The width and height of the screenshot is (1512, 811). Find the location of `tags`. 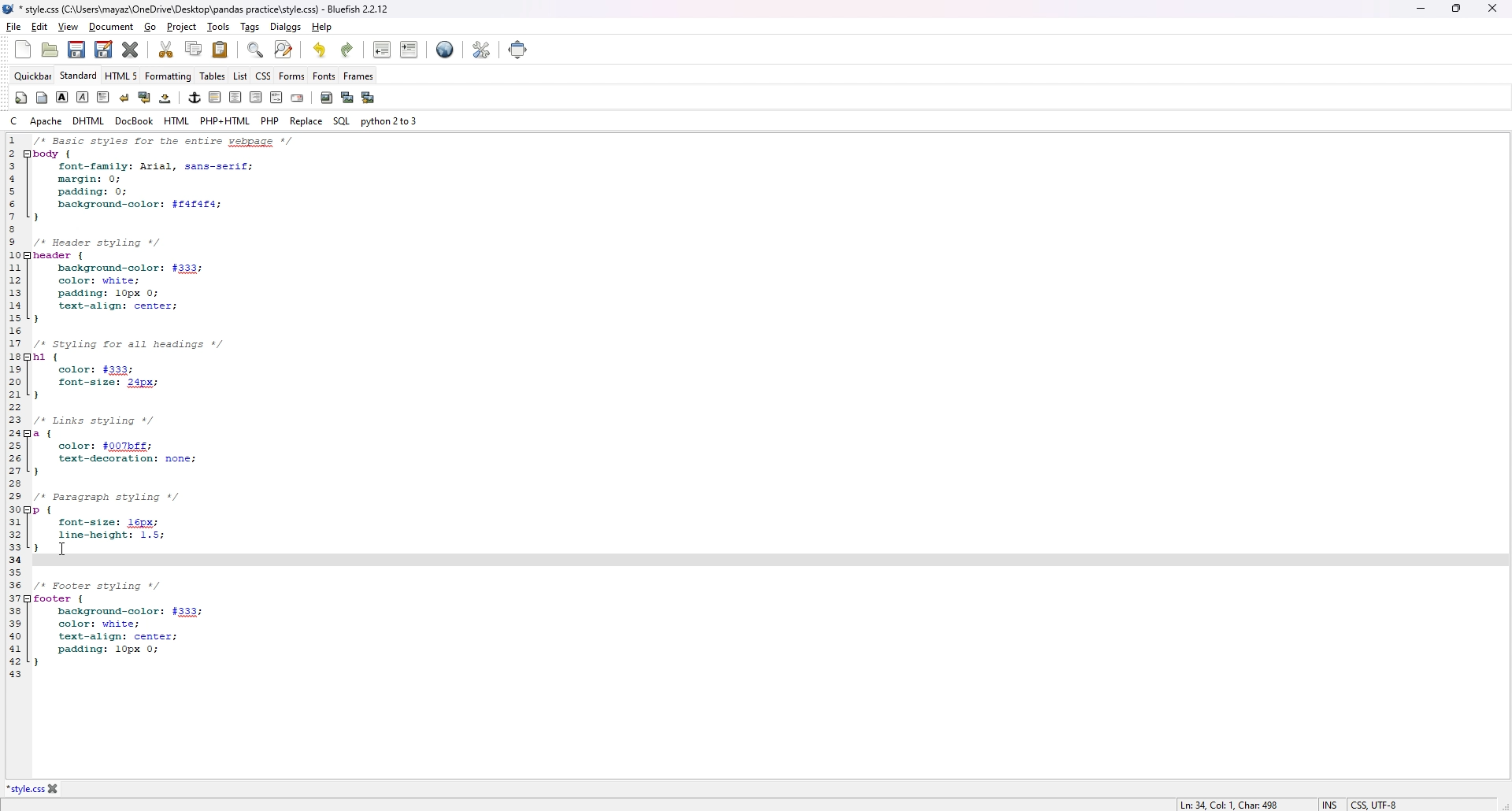

tags is located at coordinates (248, 26).